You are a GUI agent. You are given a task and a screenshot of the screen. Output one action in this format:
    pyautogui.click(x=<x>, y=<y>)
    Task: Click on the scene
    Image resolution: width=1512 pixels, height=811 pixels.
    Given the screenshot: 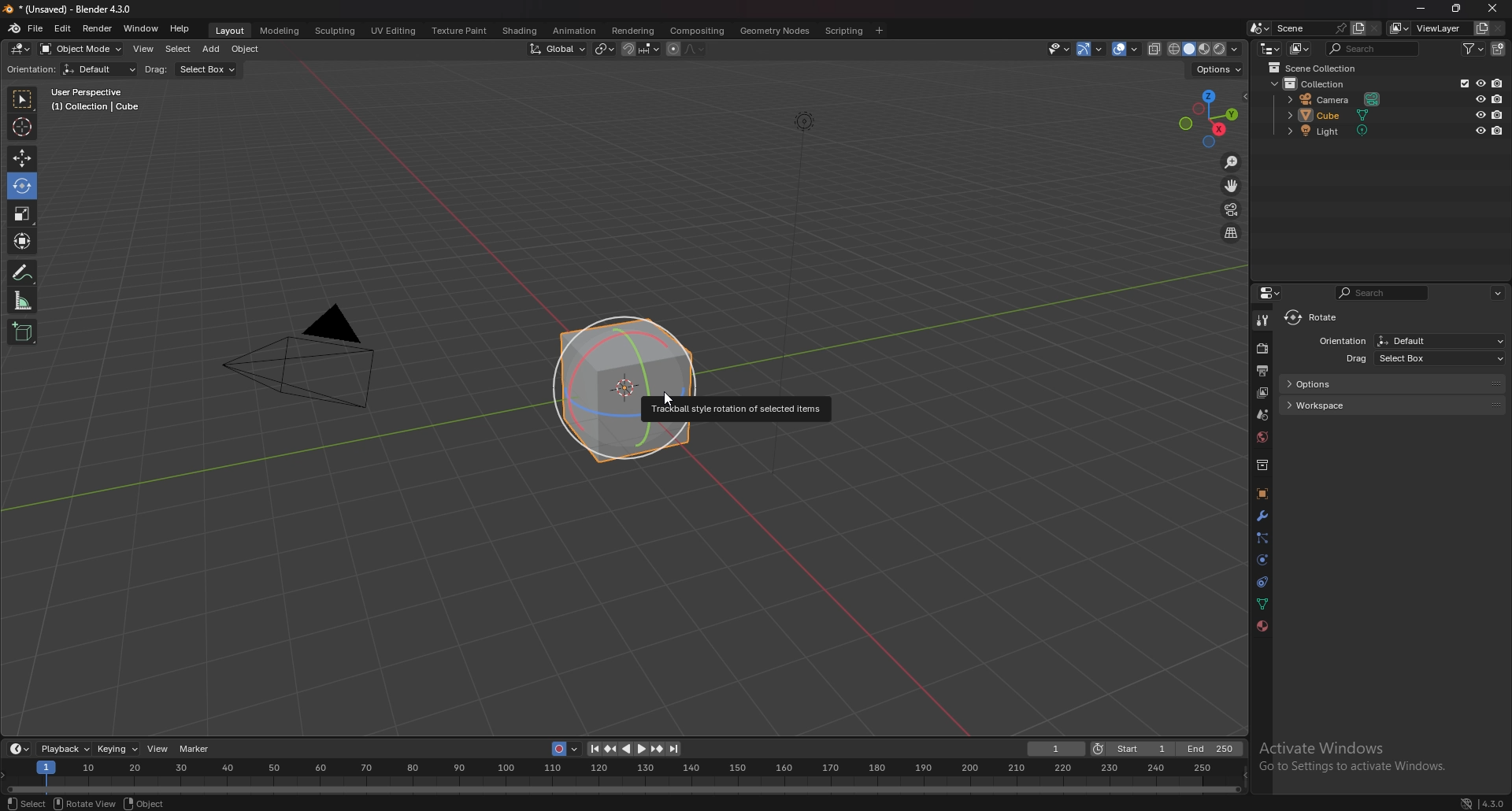 What is the action you would take?
    pyautogui.click(x=1311, y=28)
    